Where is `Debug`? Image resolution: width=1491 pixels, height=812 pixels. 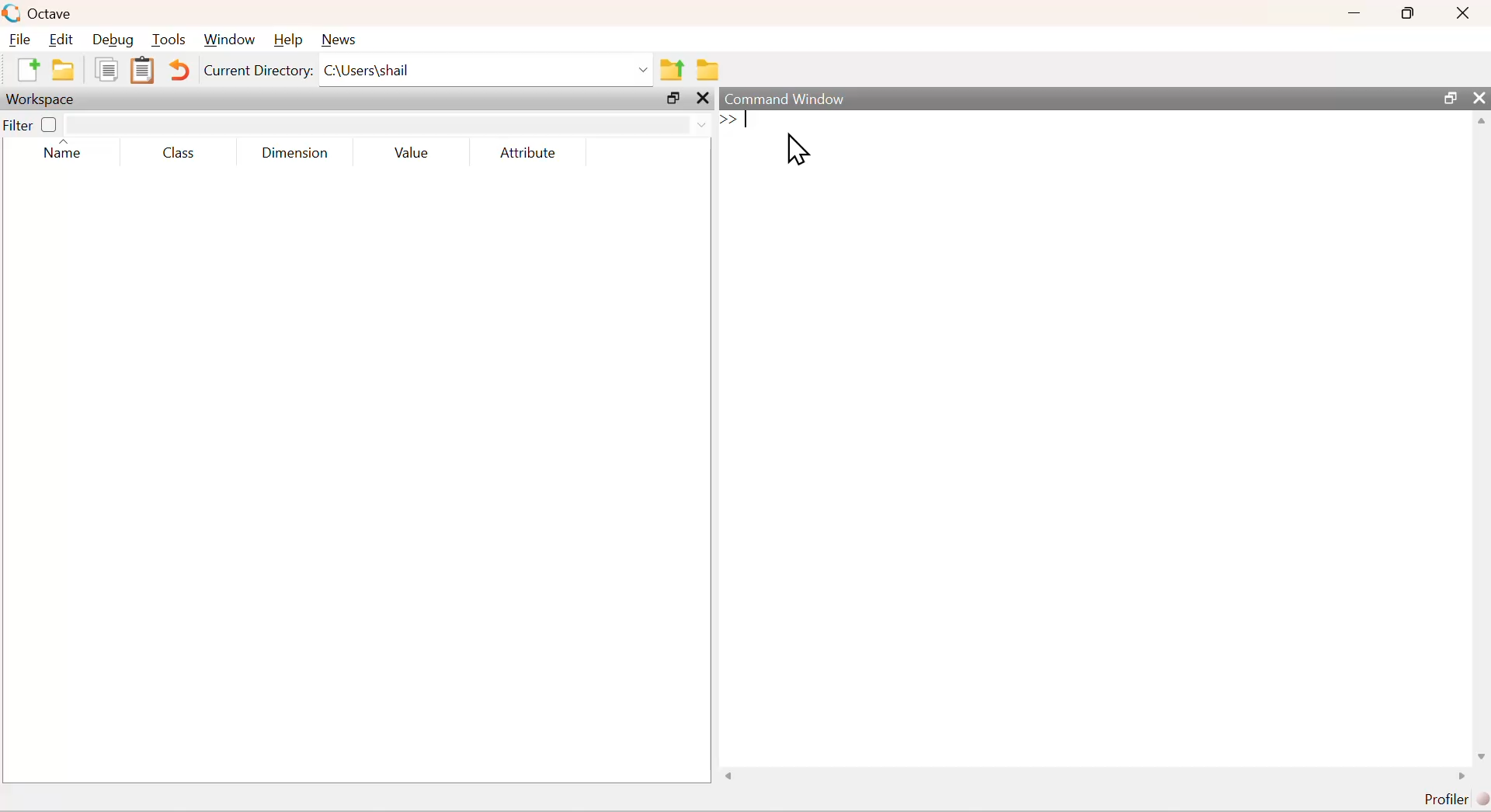 Debug is located at coordinates (114, 42).